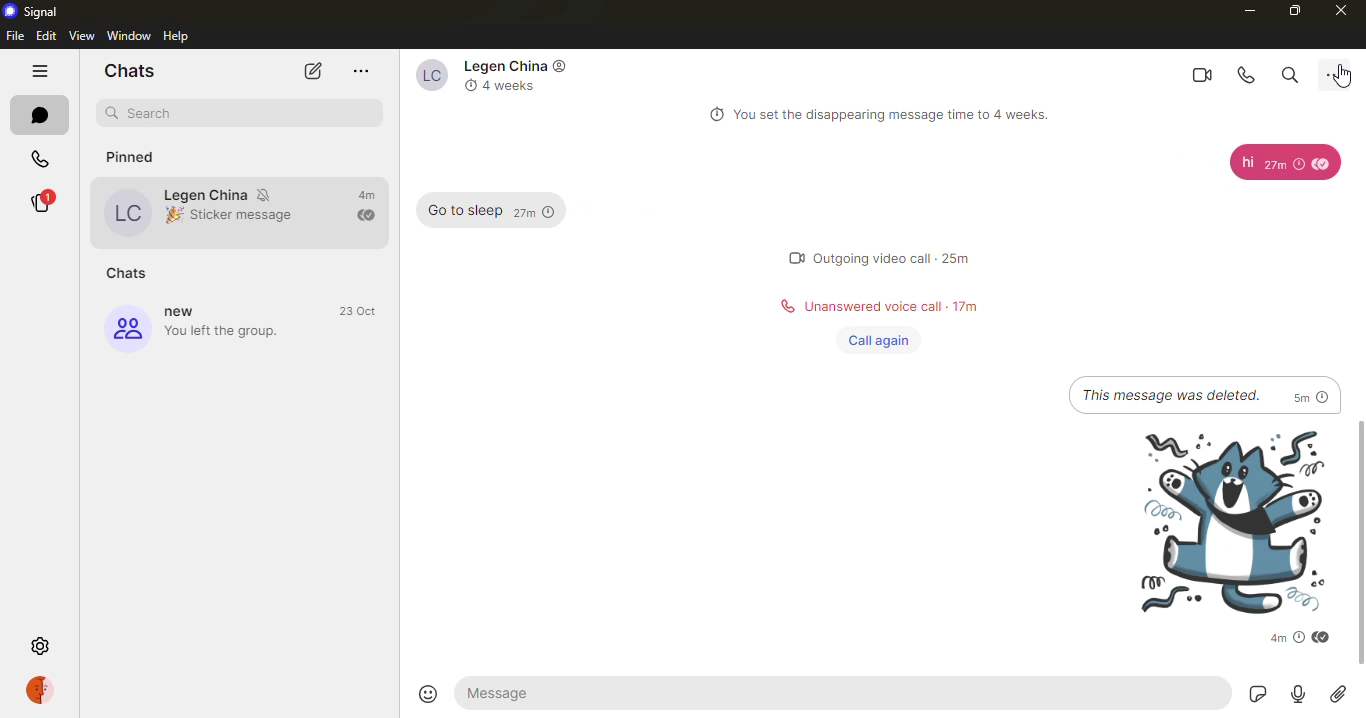 This screenshot has height=718, width=1366. Describe the element at coordinates (313, 72) in the screenshot. I see `new chat` at that location.